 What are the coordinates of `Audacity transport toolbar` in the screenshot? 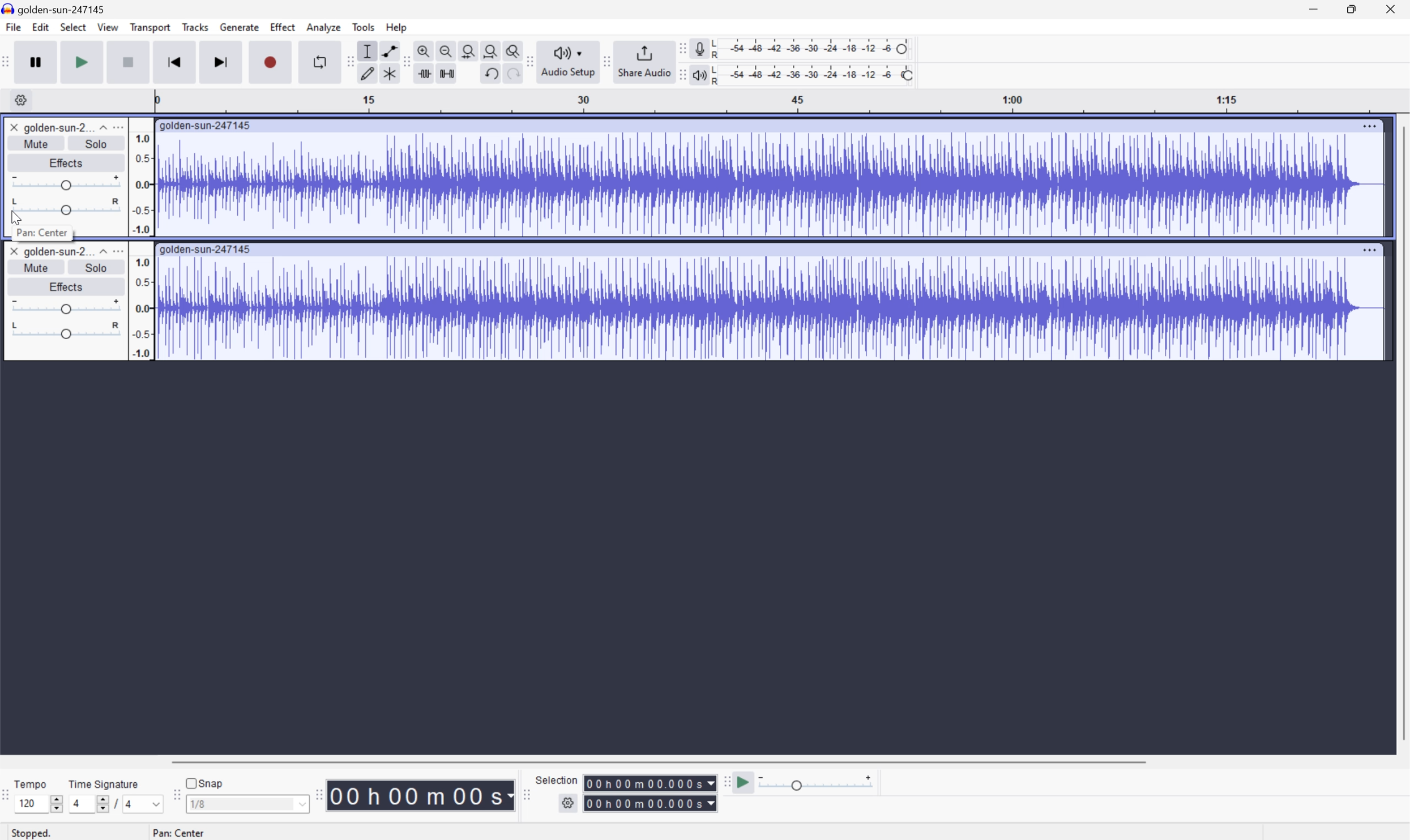 It's located at (10, 63).